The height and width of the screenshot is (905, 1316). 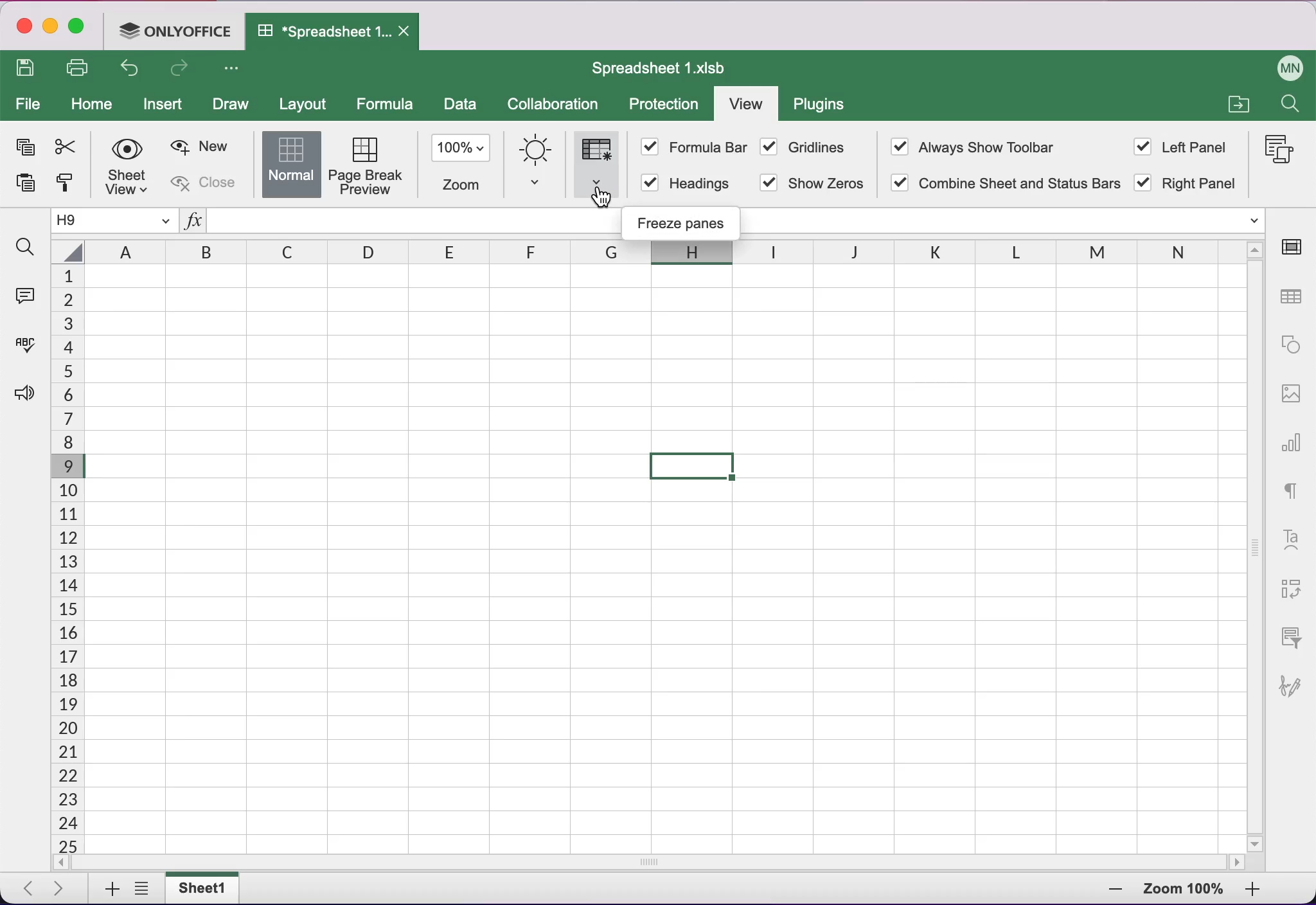 What do you see at coordinates (1185, 147) in the screenshot?
I see `left panel` at bounding box center [1185, 147].